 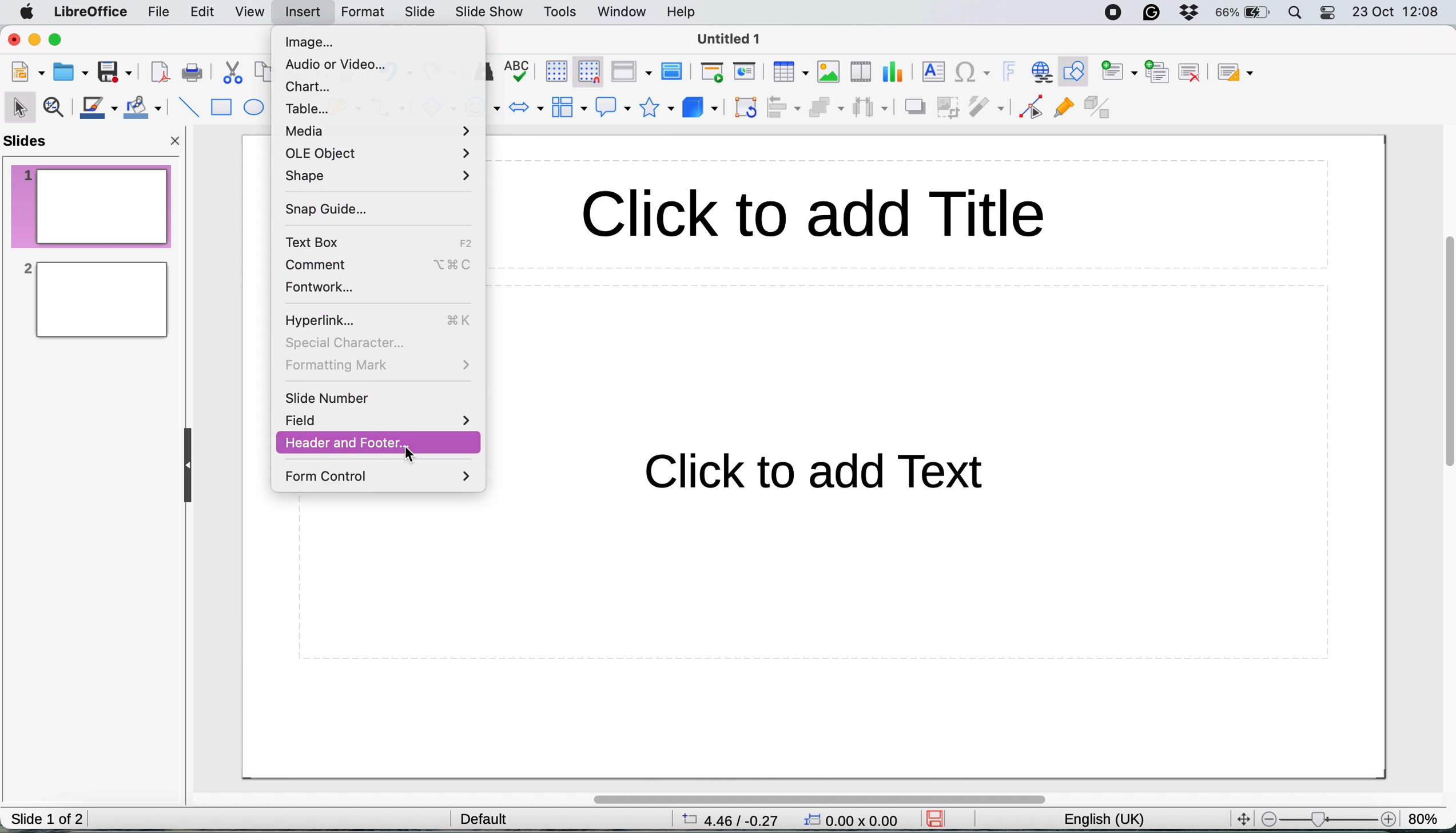 I want to click on formatting mark, so click(x=378, y=366).